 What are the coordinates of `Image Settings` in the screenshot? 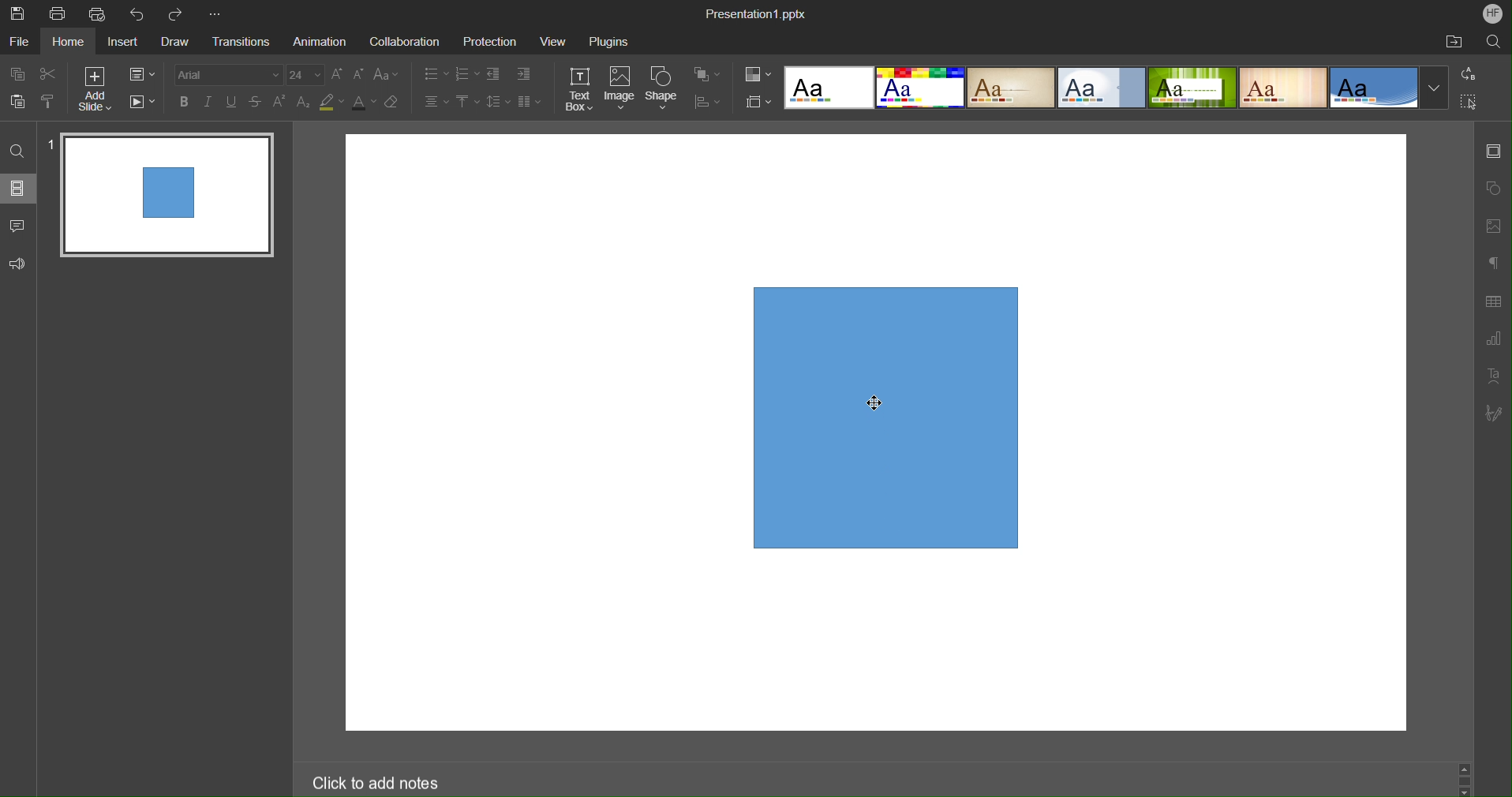 It's located at (1492, 226).